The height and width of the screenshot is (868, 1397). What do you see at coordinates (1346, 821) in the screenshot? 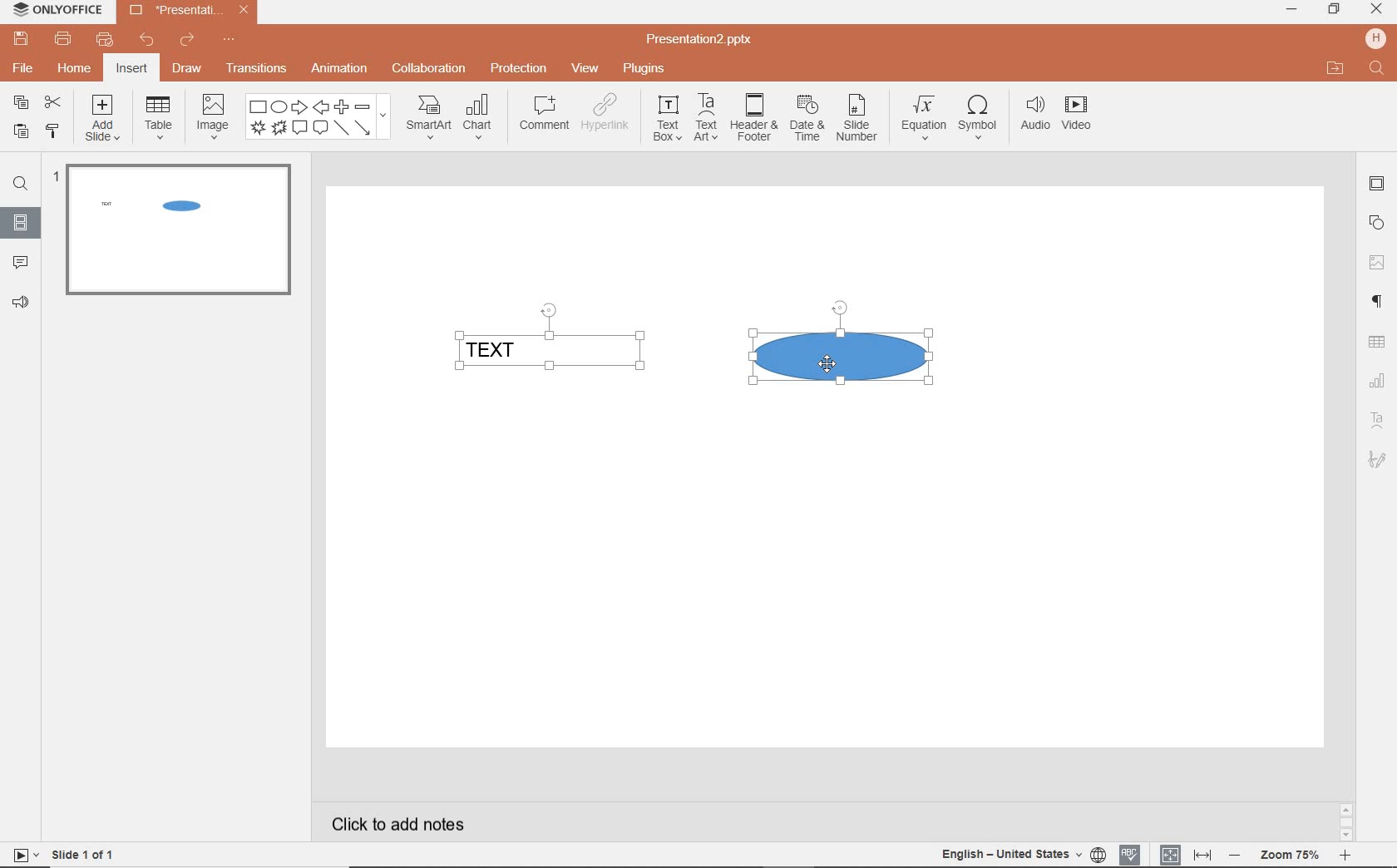
I see `SCROLLBAR` at bounding box center [1346, 821].